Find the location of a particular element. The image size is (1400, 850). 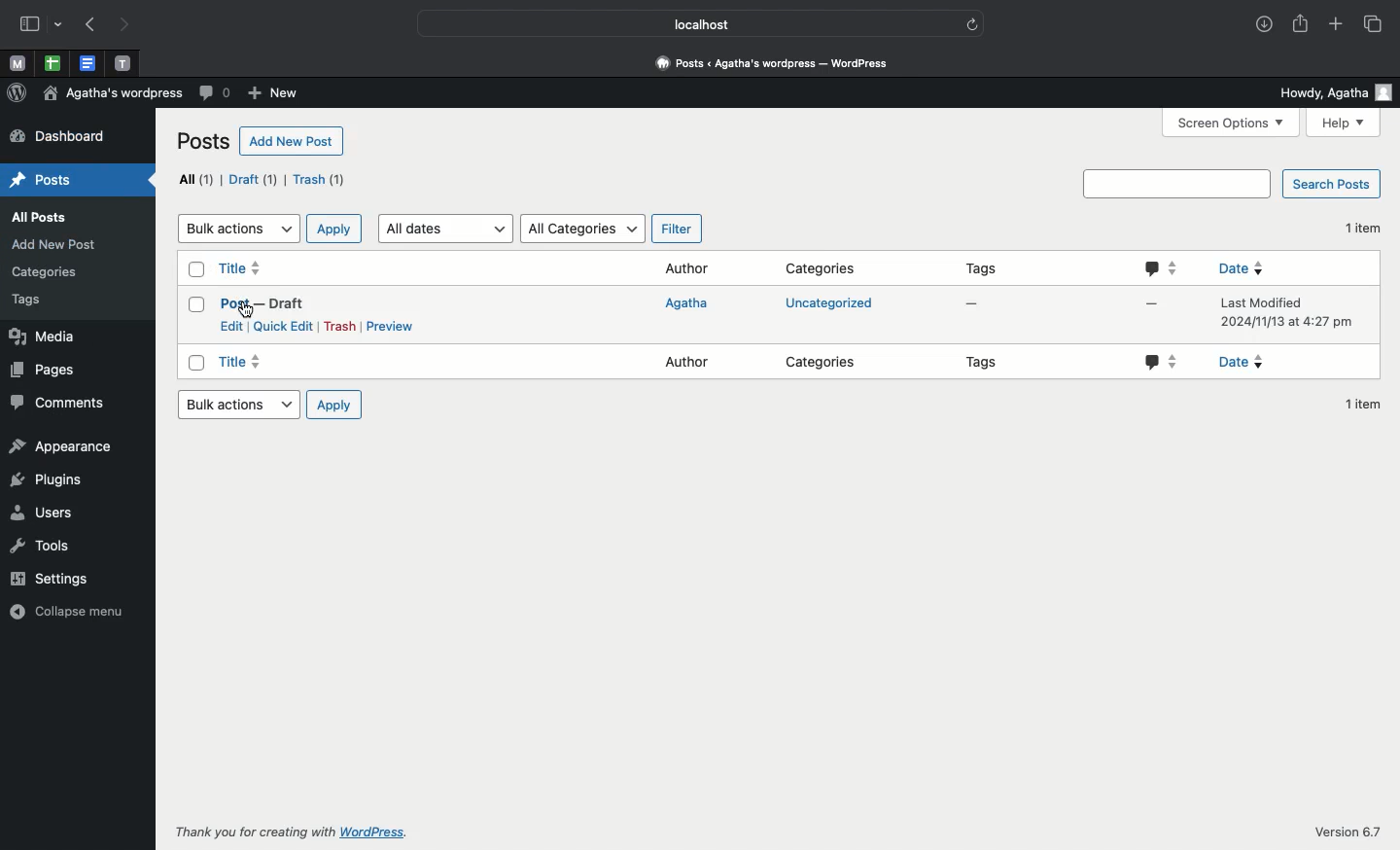

All (1) is located at coordinates (192, 180).